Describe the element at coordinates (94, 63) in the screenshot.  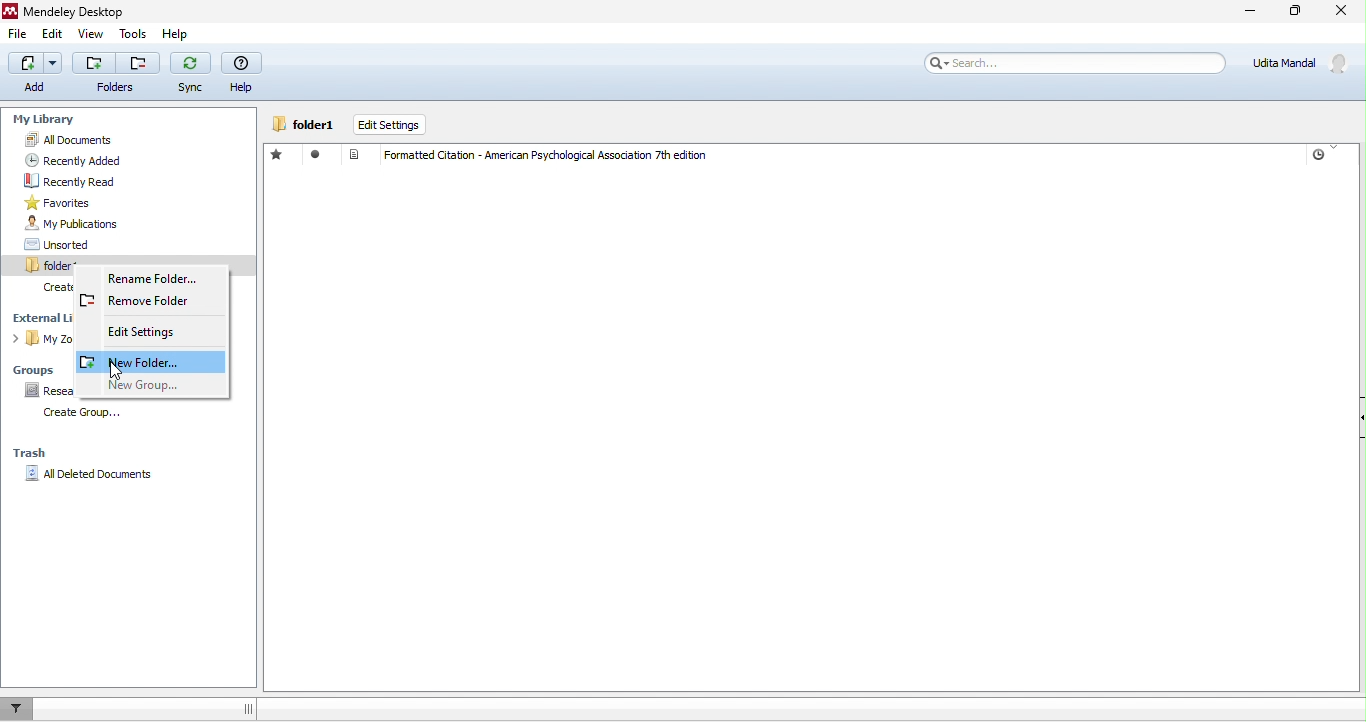
I see `Add folder` at that location.